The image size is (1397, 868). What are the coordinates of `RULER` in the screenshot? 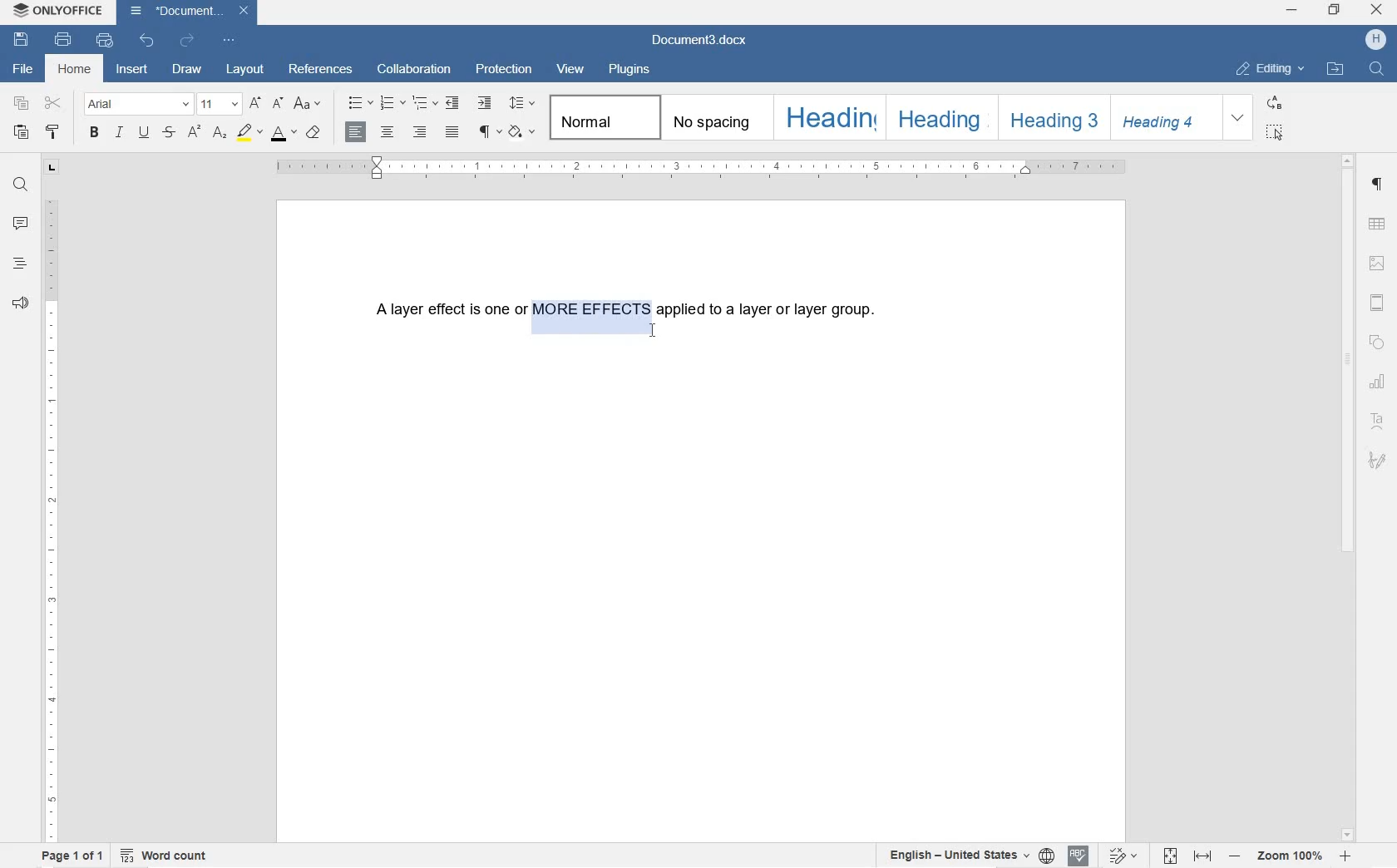 It's located at (702, 169).